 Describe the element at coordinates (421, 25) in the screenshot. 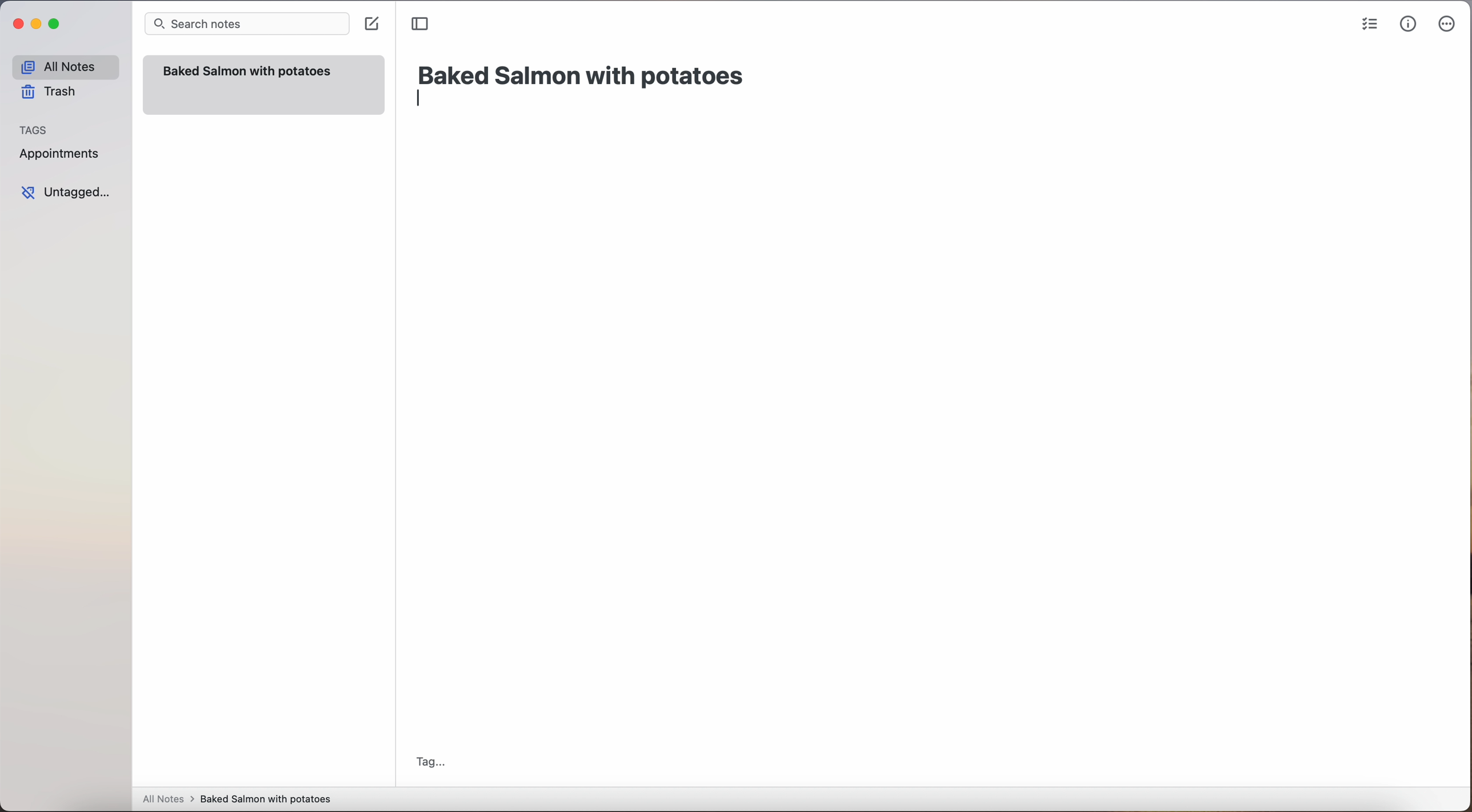

I see `toggle sidebar` at that location.